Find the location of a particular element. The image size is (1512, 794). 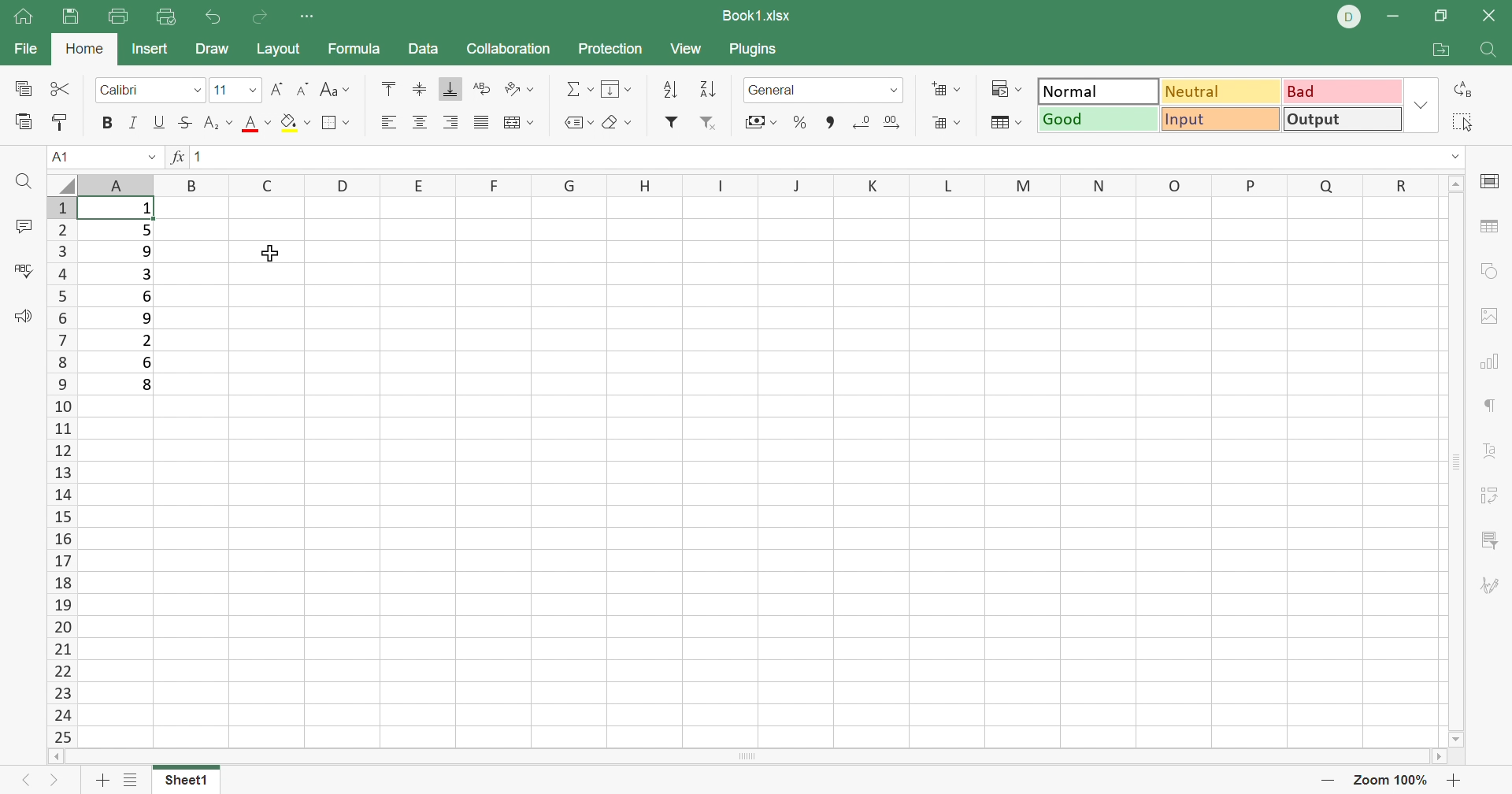

1 is located at coordinates (145, 210).